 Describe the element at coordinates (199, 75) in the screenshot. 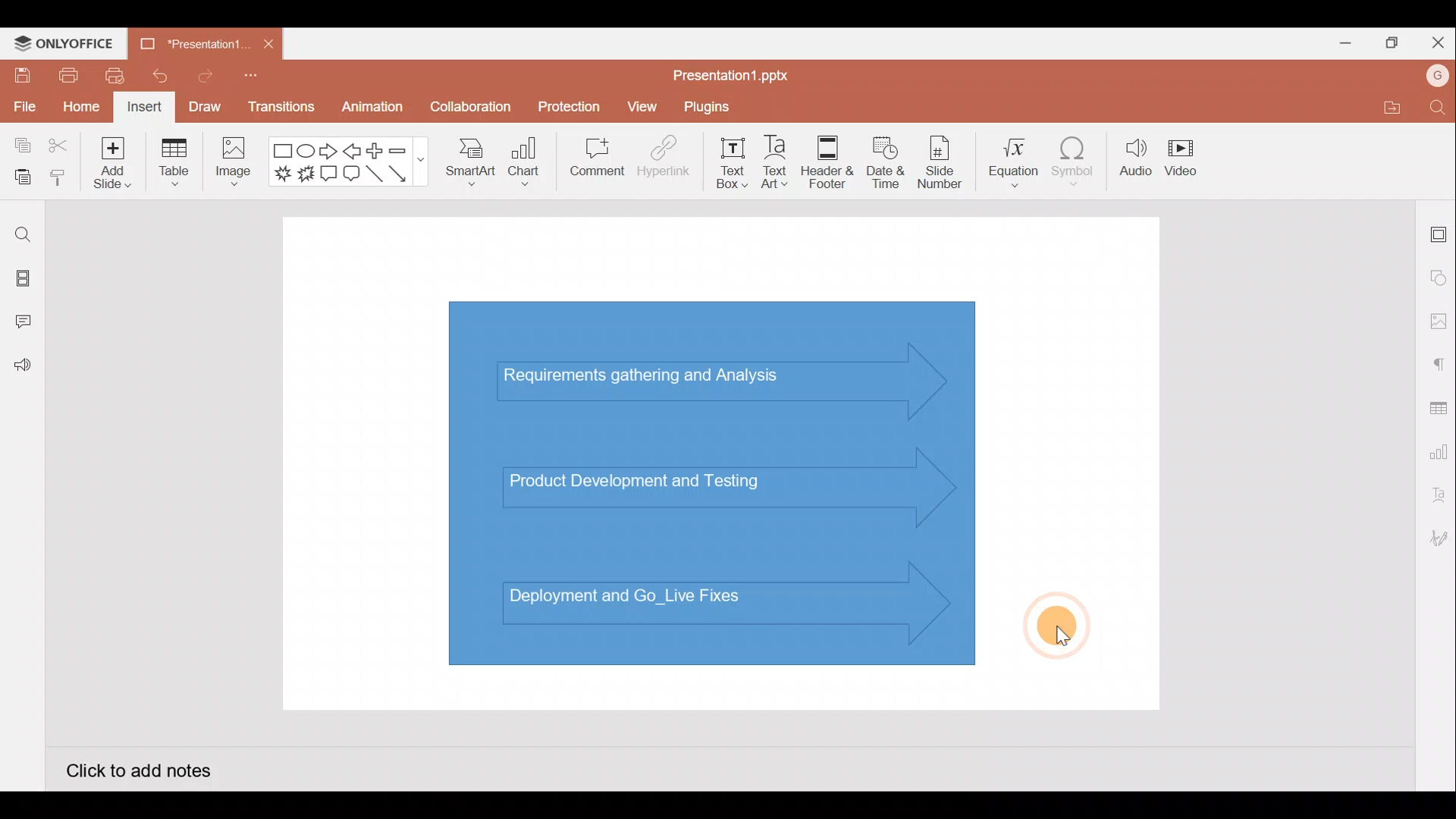

I see `Redo` at that location.